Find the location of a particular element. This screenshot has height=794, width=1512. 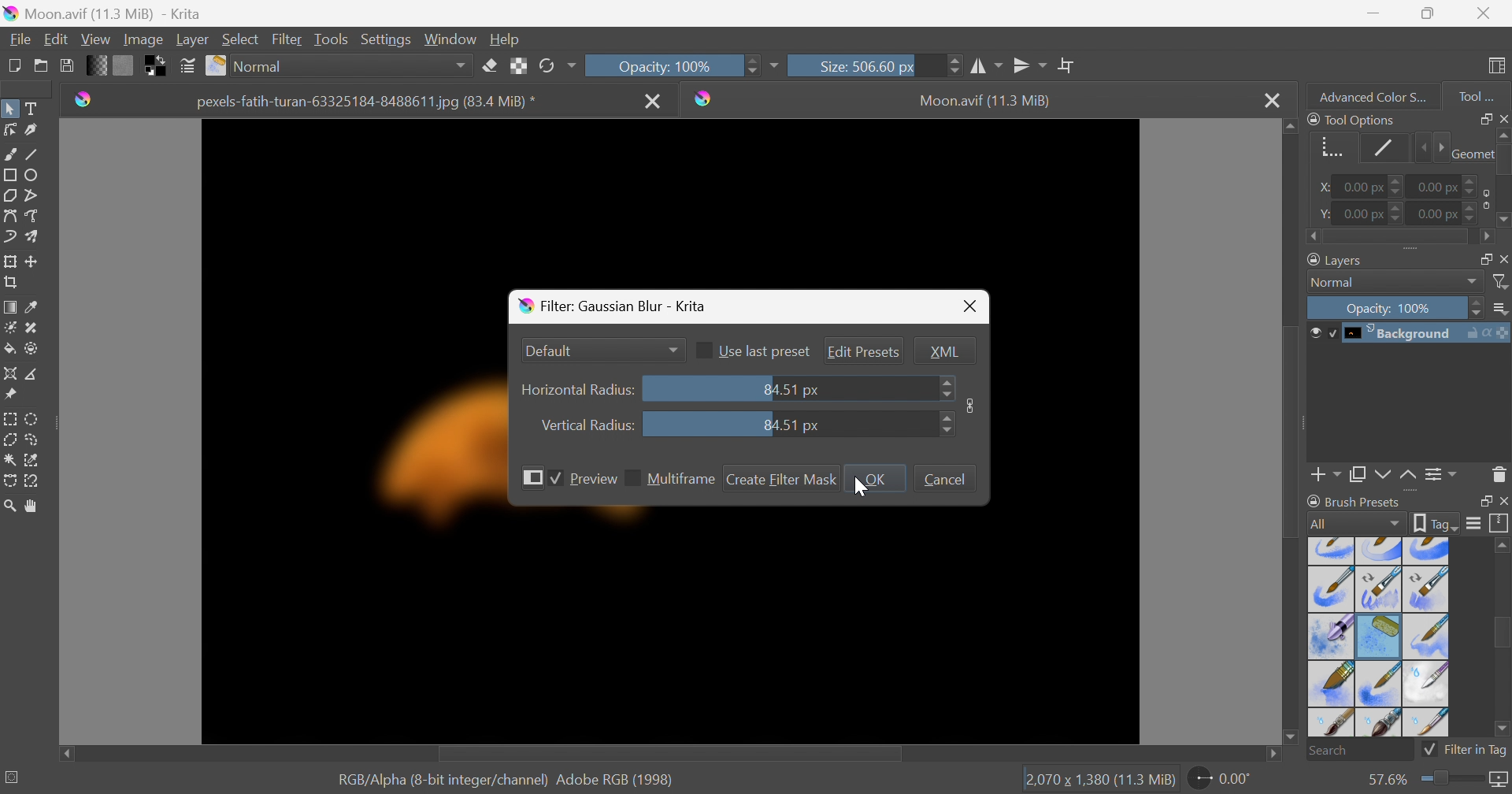

Geometry is located at coordinates (1470, 154).